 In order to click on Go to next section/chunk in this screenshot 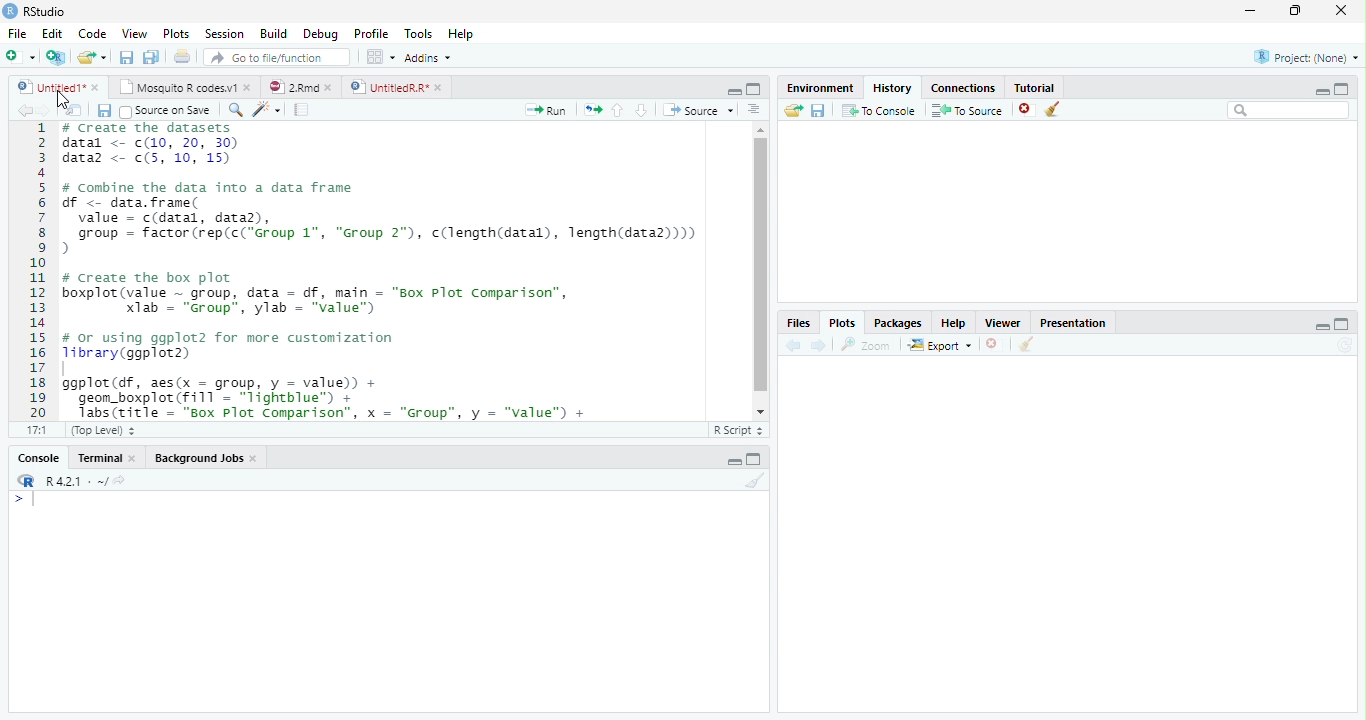, I will do `click(641, 111)`.